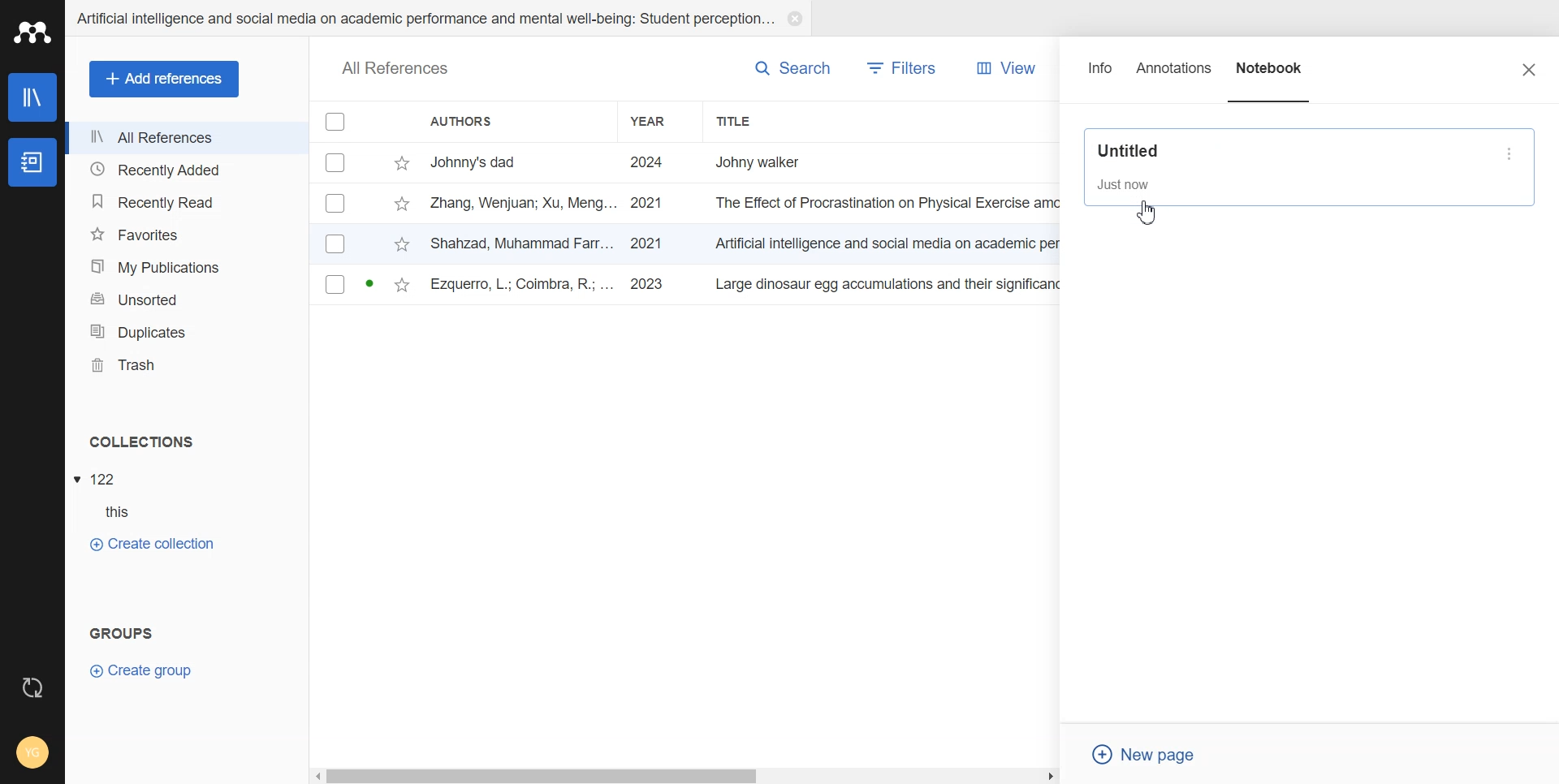 Image resolution: width=1559 pixels, height=784 pixels. I want to click on Create Collection, so click(151, 543).